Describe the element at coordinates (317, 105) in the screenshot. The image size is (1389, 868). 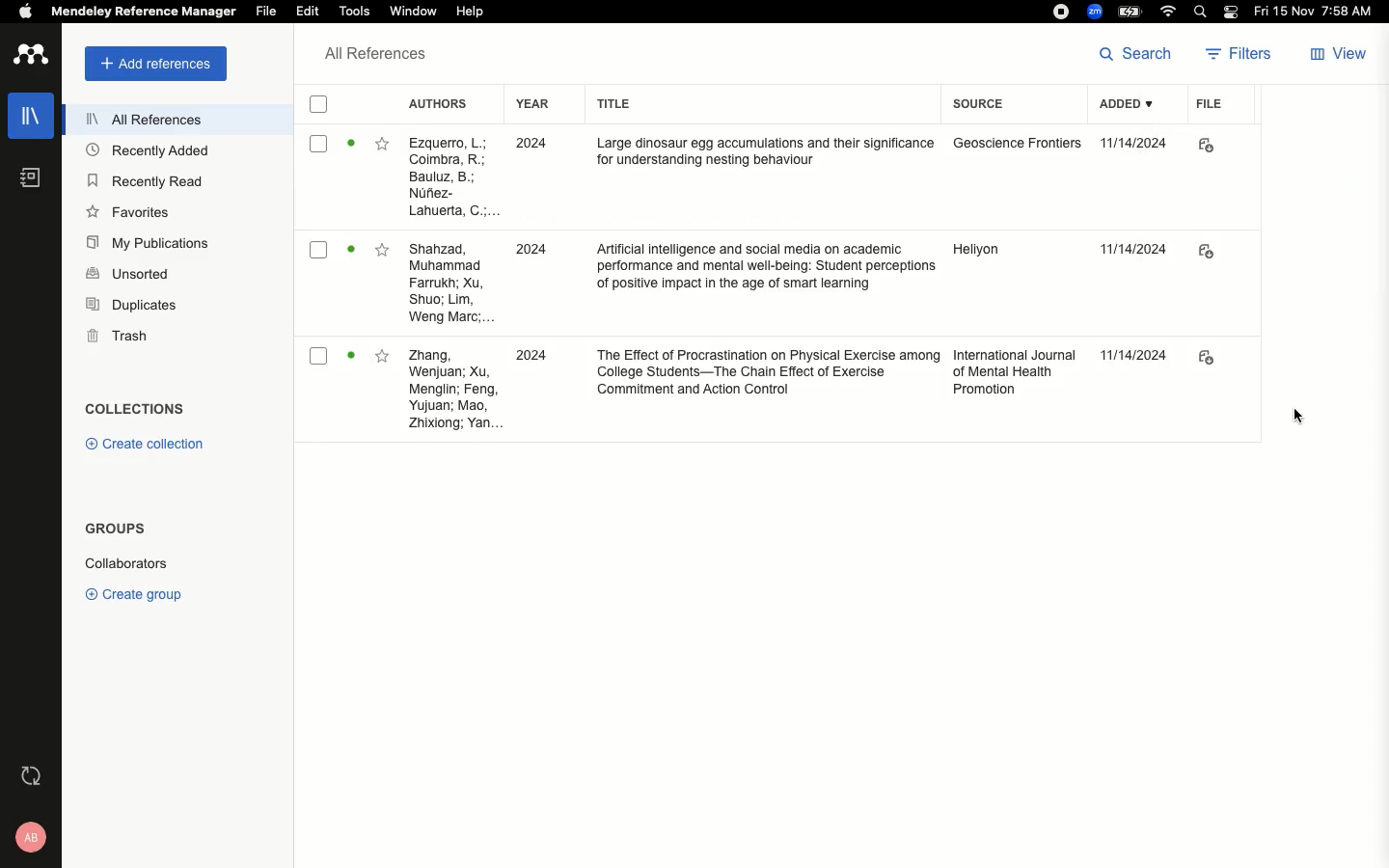
I see `checkbox` at that location.